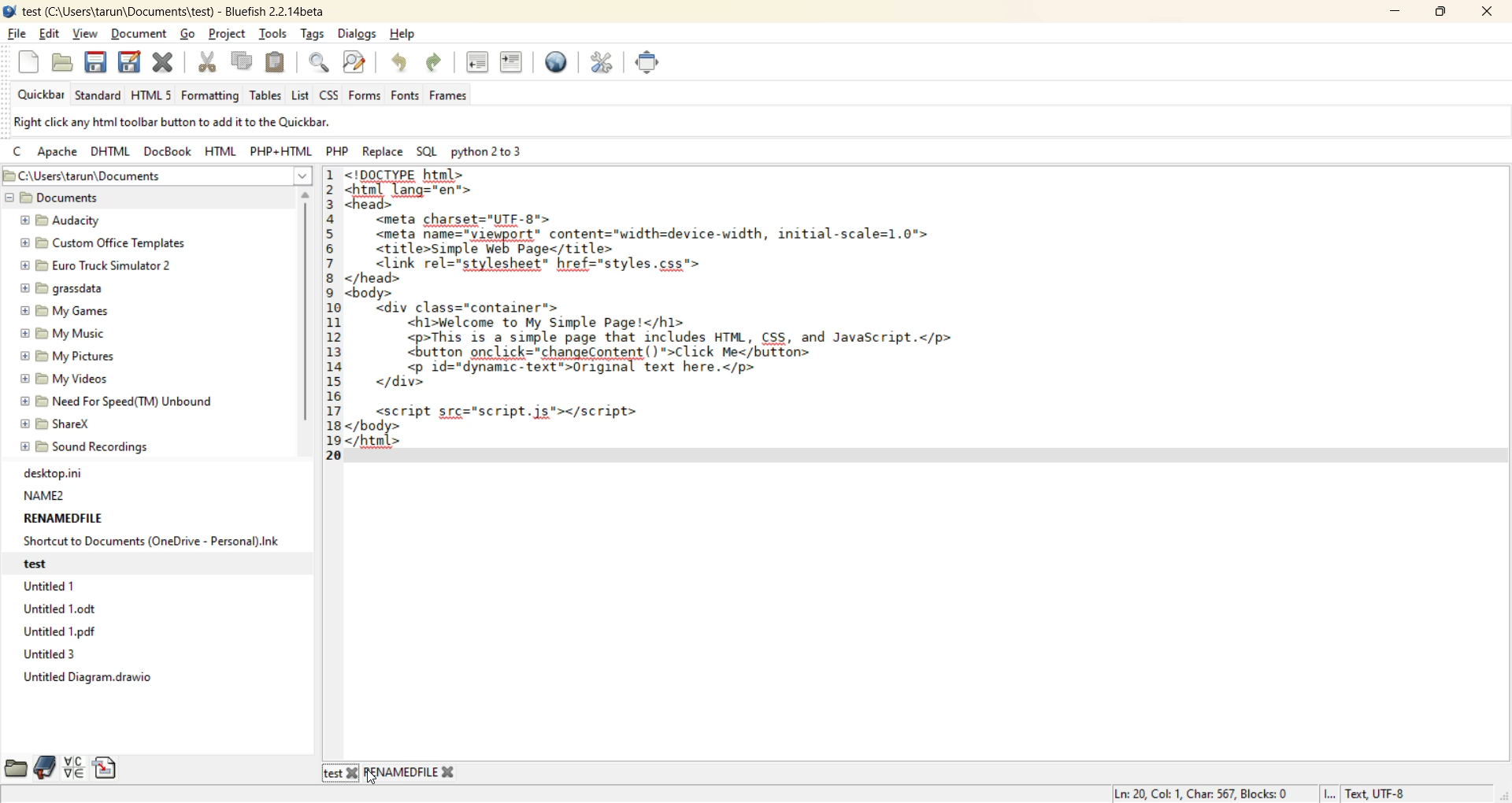 This screenshot has width=1512, height=803. Describe the element at coordinates (265, 94) in the screenshot. I see `tables` at that location.